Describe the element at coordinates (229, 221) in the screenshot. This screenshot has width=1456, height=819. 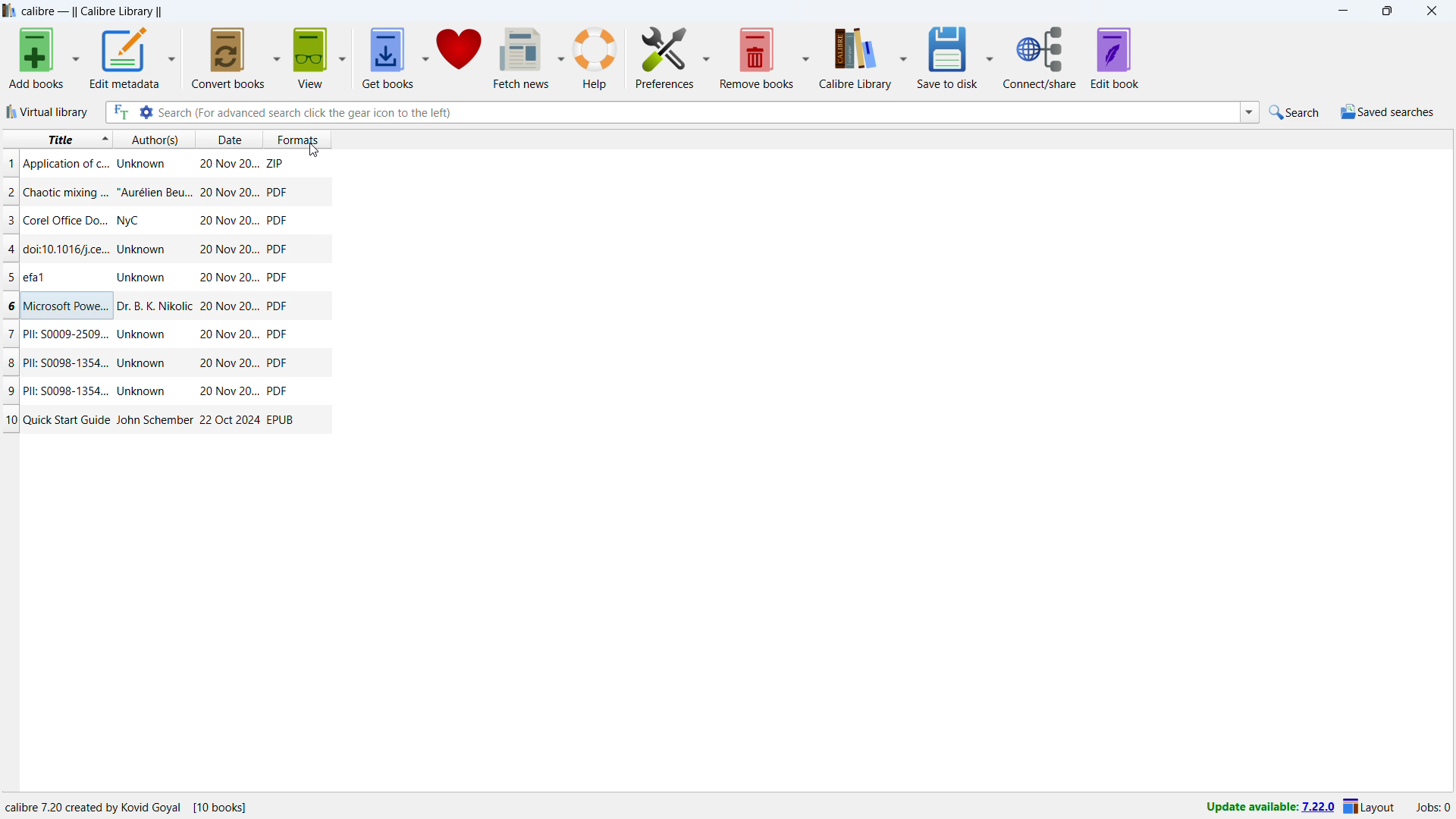
I see `date` at that location.